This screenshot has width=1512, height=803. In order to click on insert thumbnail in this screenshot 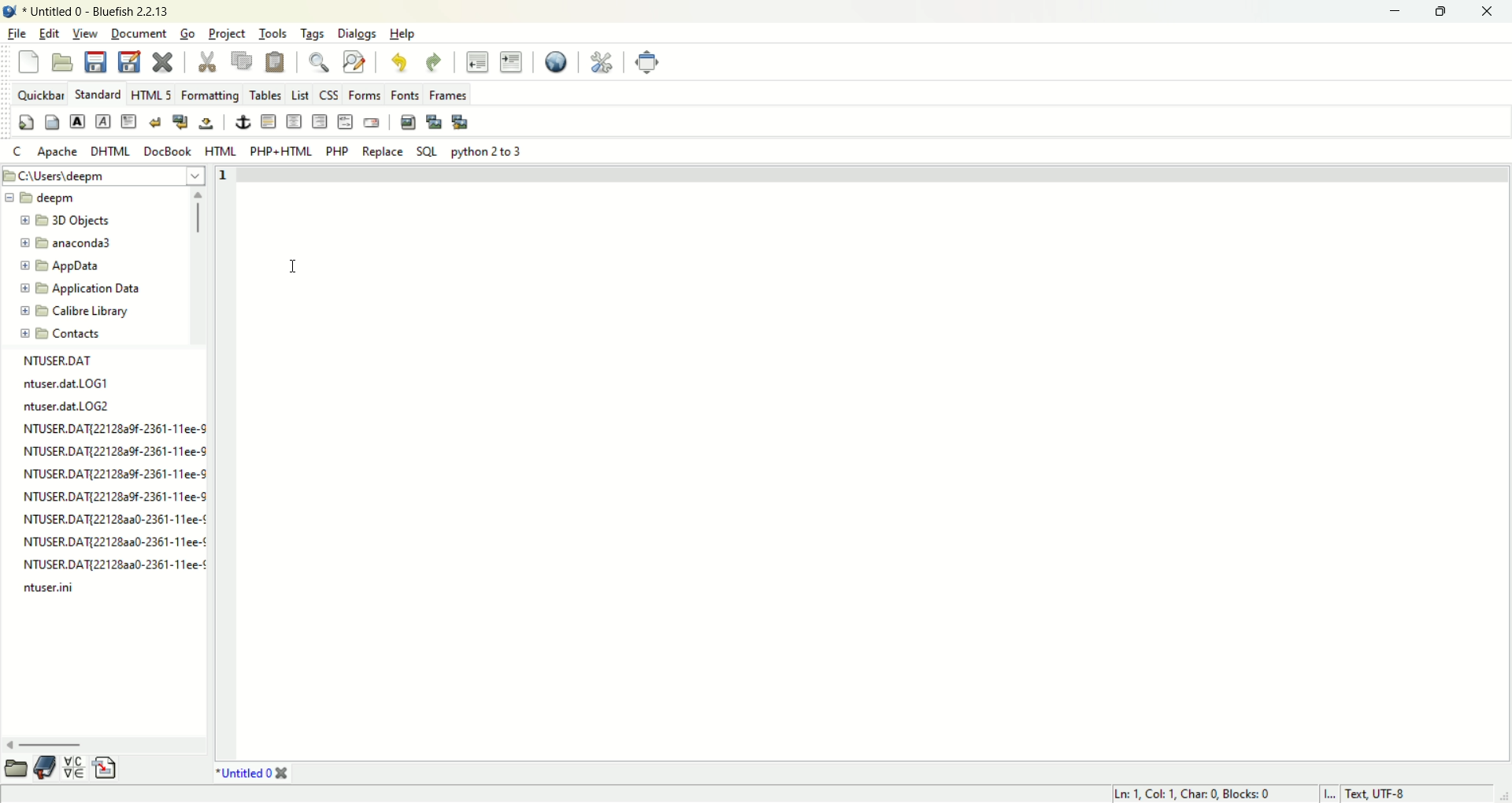, I will do `click(435, 121)`.